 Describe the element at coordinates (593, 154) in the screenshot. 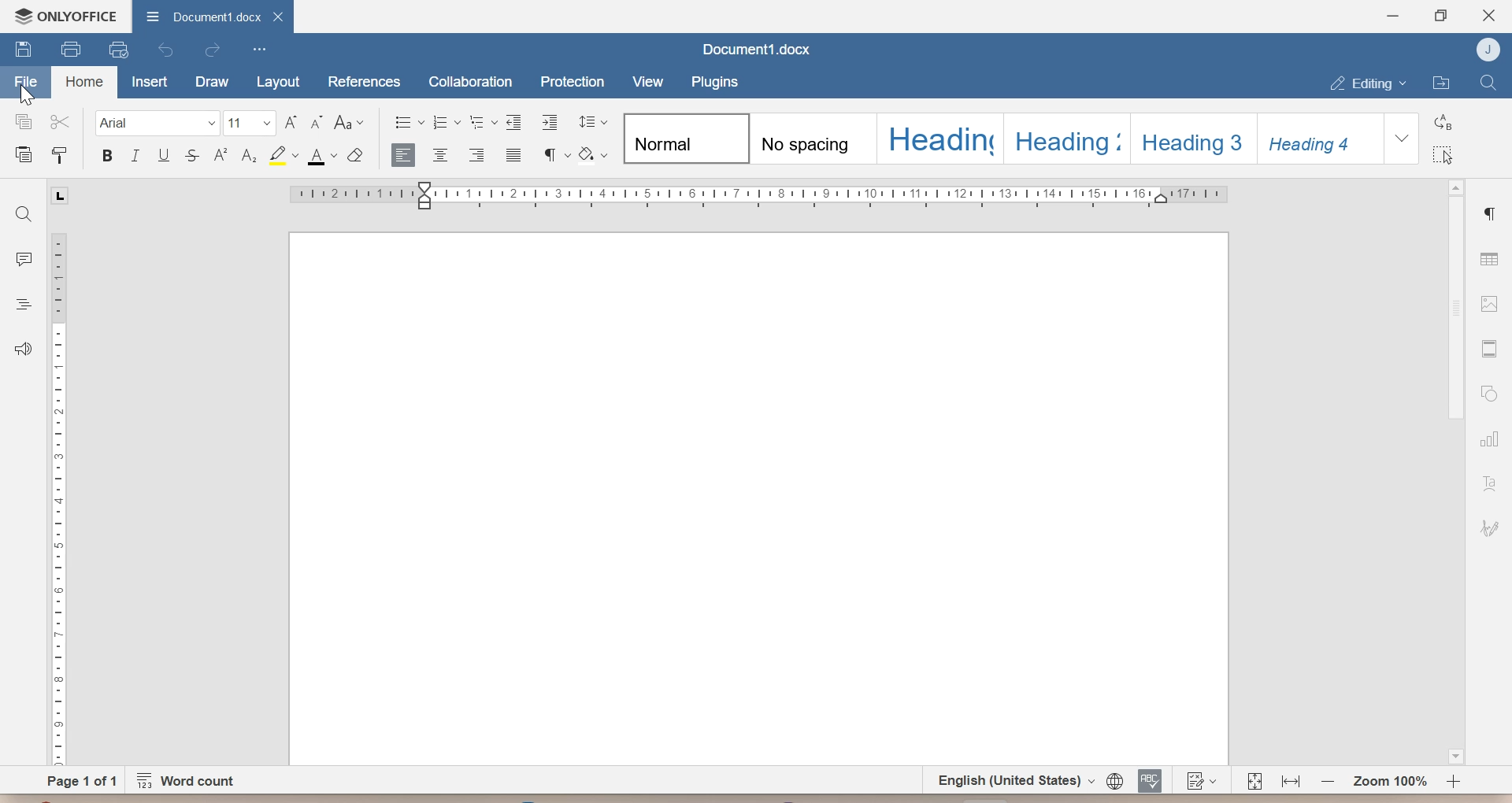

I see `Shading` at that location.